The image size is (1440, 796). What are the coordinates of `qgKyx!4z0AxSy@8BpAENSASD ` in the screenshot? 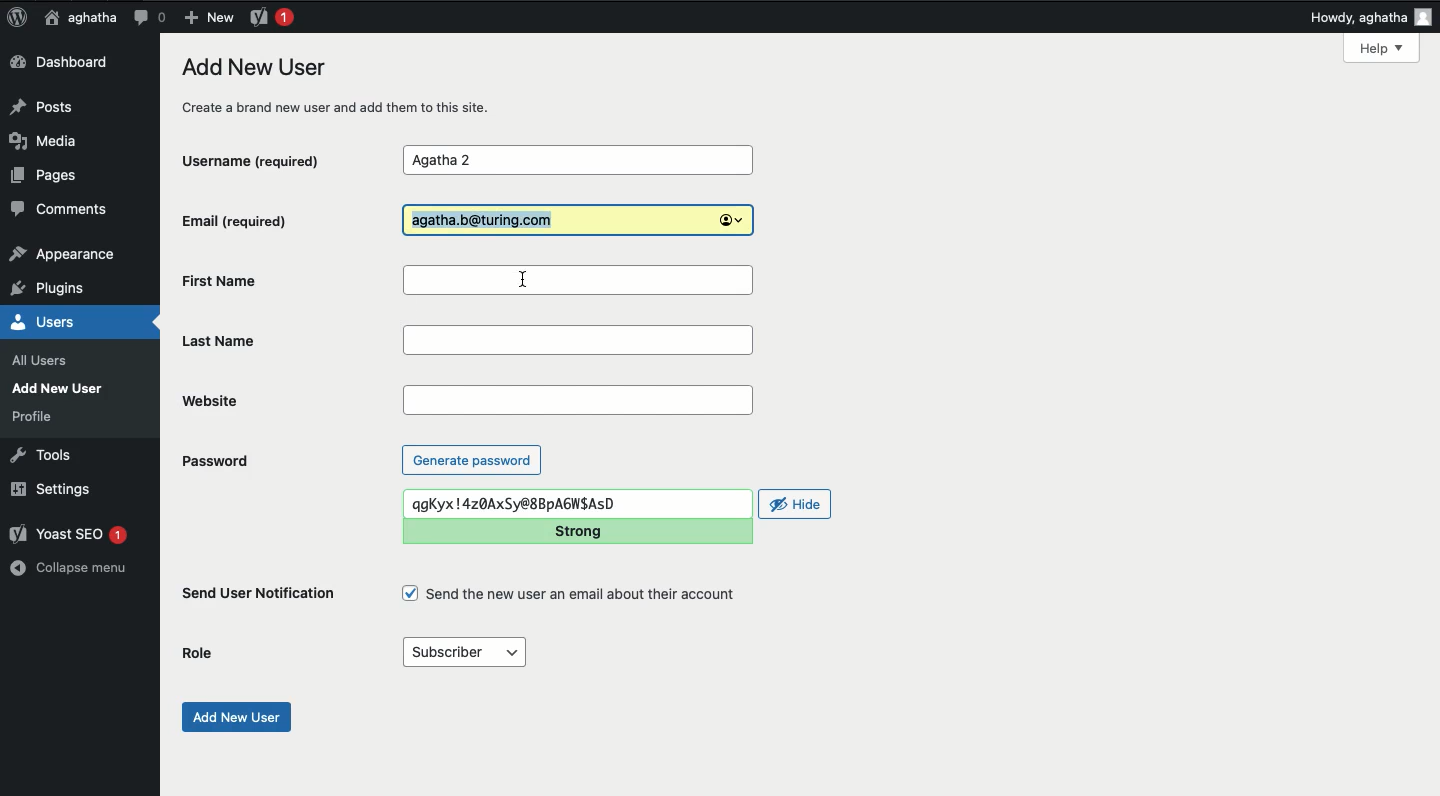 It's located at (579, 504).